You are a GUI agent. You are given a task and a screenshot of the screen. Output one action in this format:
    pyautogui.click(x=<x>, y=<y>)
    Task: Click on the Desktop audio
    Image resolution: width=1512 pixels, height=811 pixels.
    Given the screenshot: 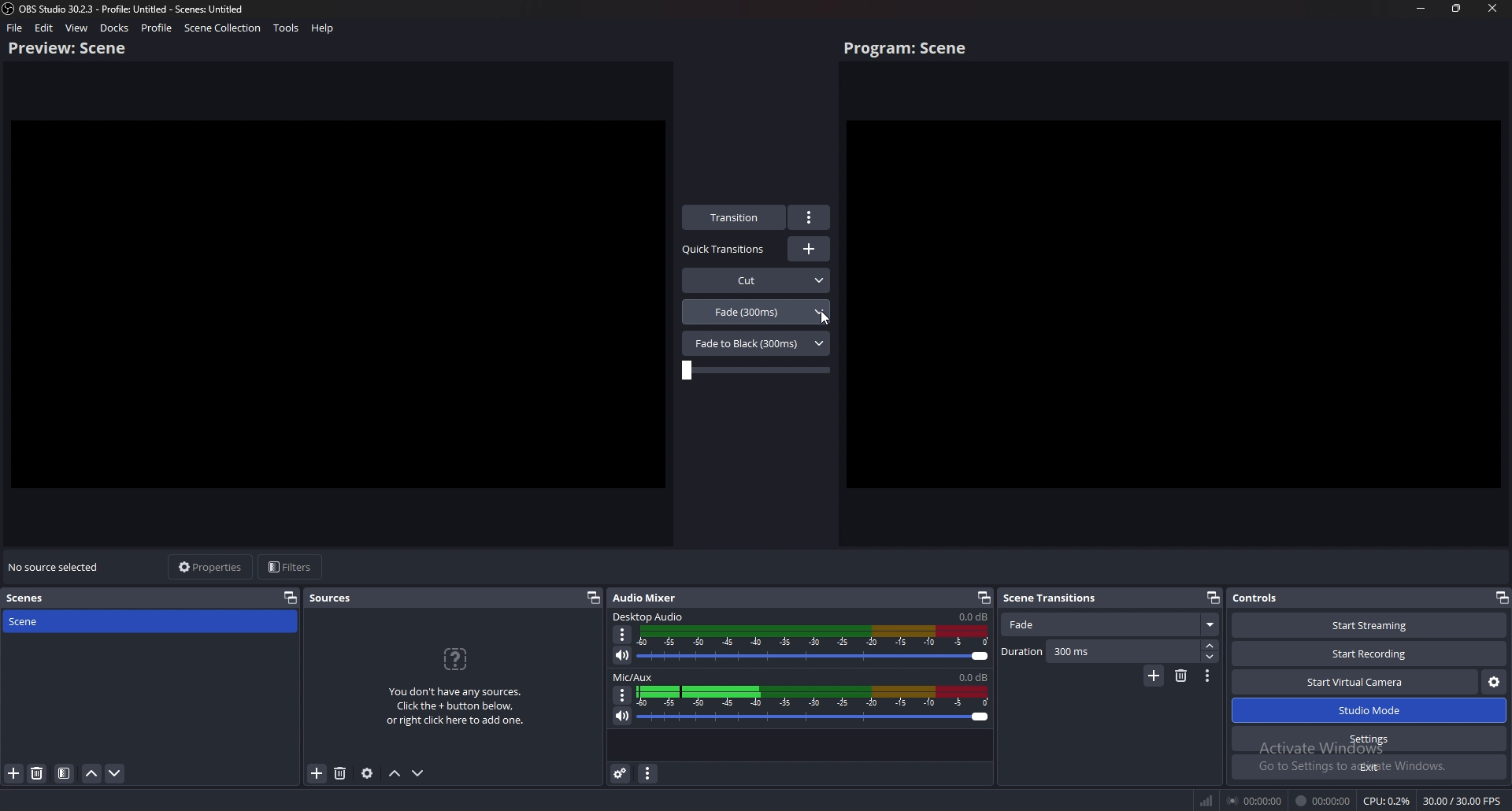 What is the action you would take?
    pyautogui.click(x=650, y=616)
    